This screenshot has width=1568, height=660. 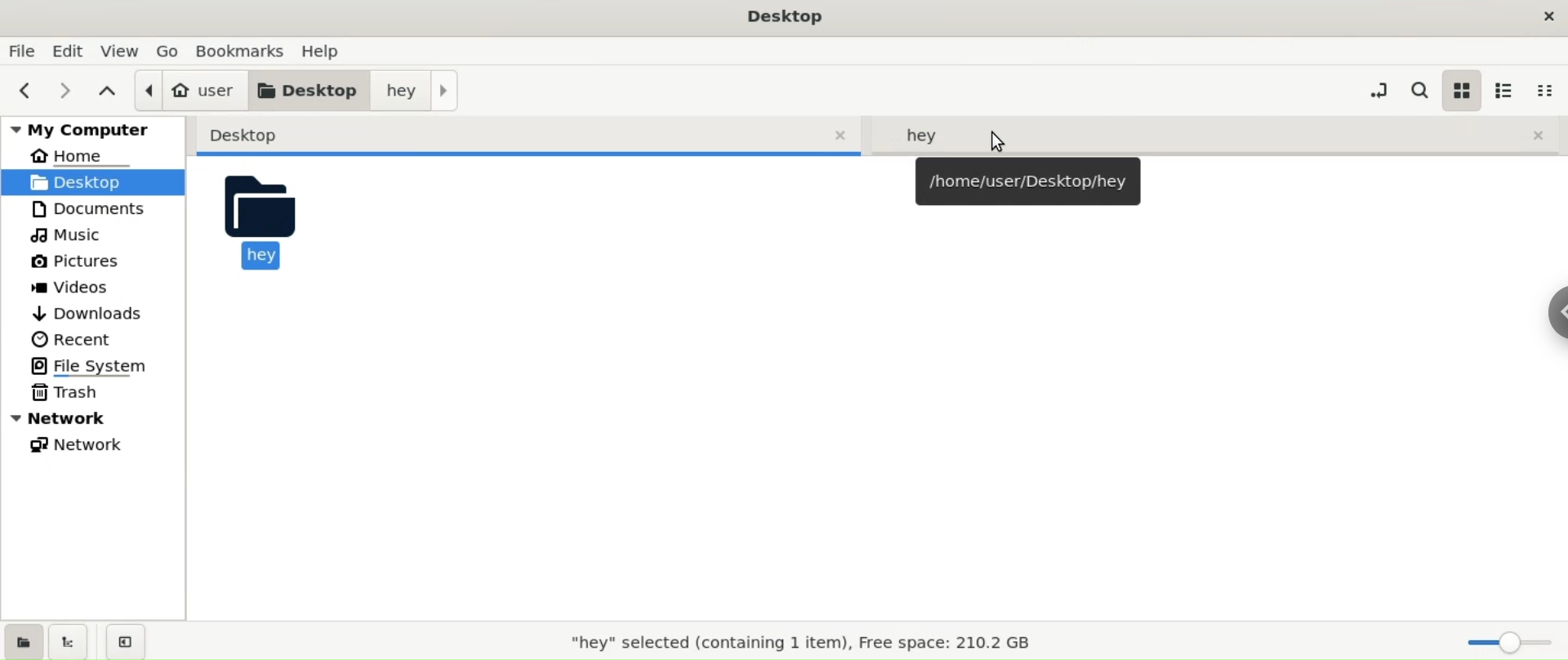 What do you see at coordinates (26, 640) in the screenshot?
I see `show places` at bounding box center [26, 640].